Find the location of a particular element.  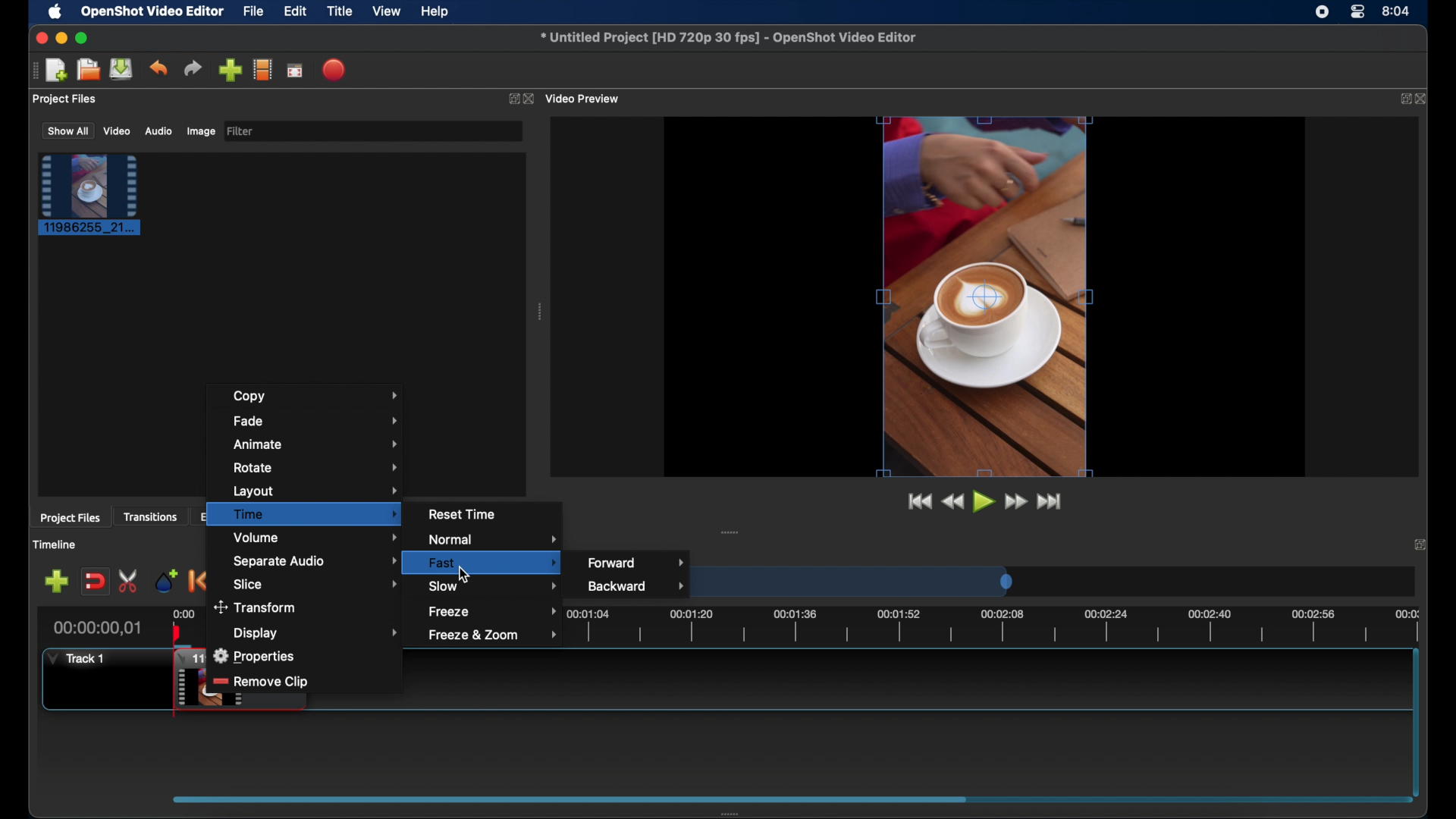

close is located at coordinates (41, 39).